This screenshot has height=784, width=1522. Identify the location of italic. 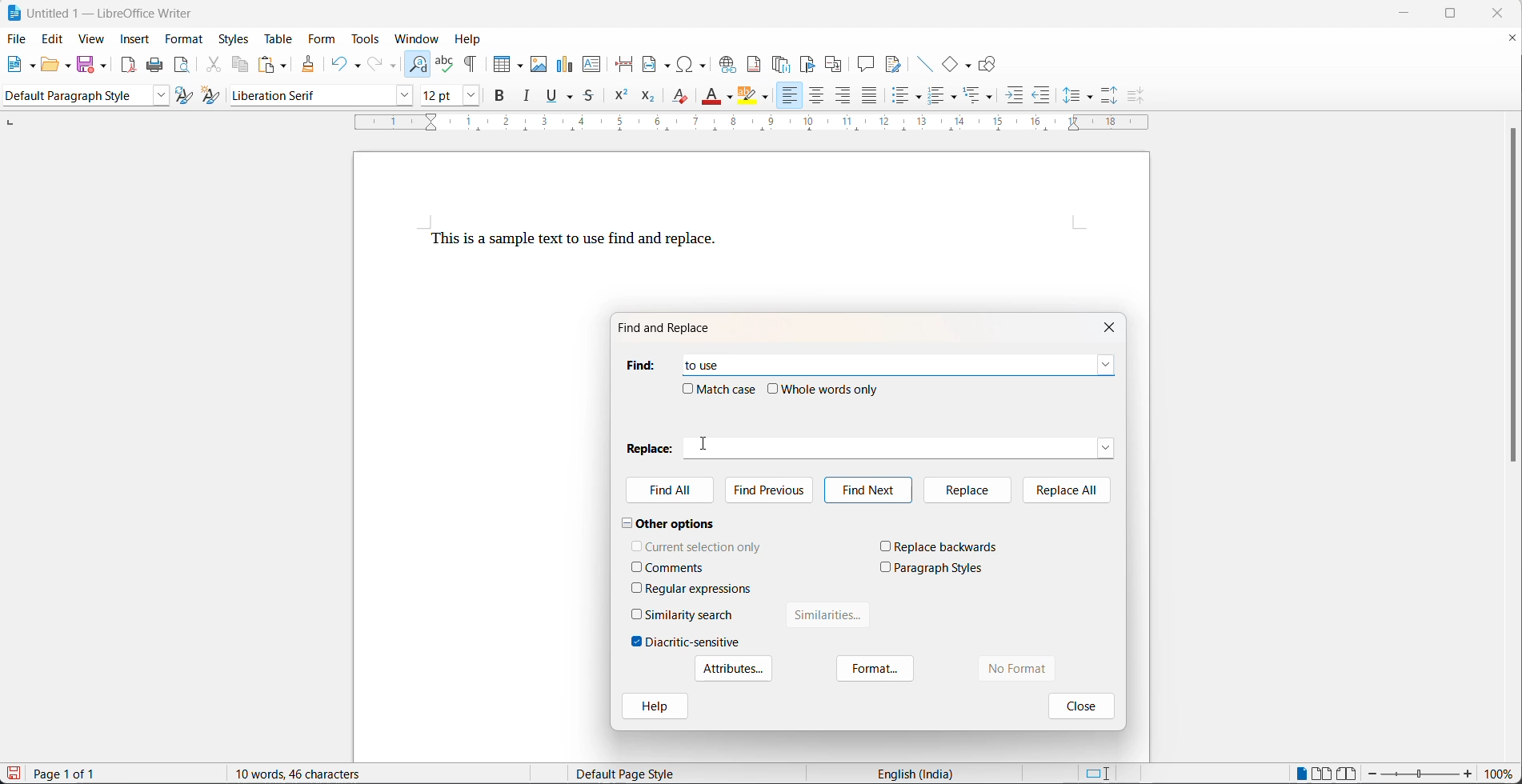
(530, 98).